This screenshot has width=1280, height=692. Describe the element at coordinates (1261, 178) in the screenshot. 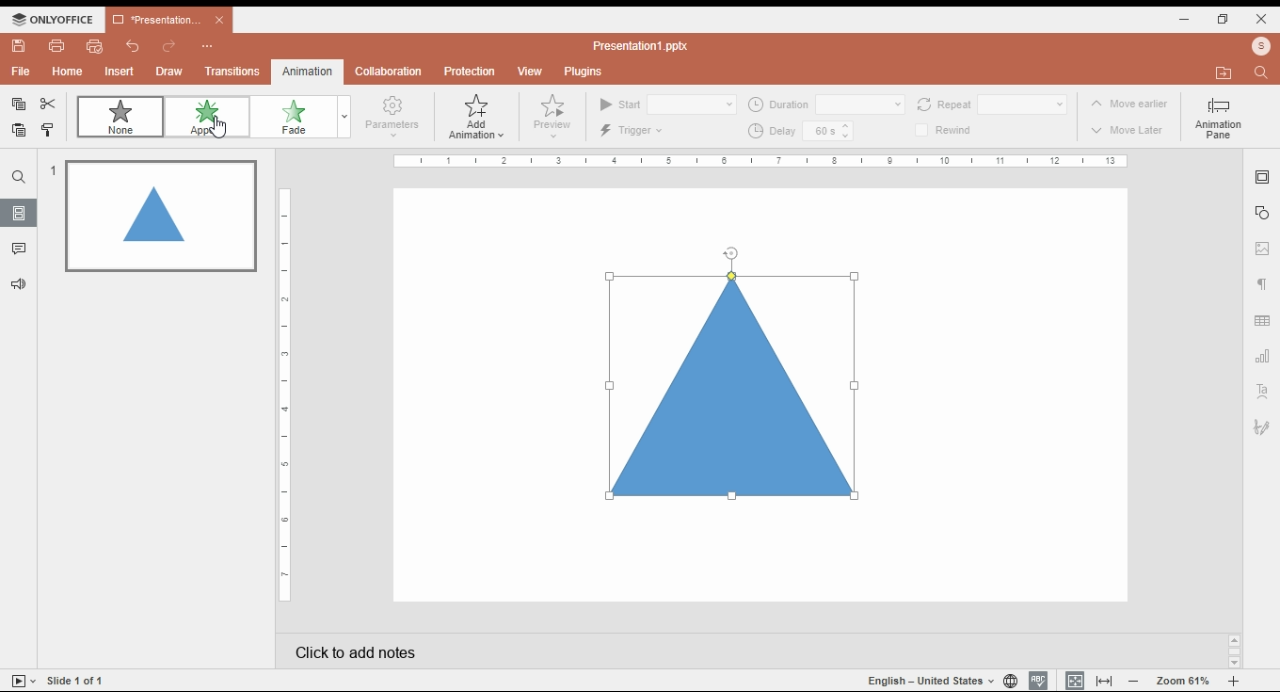

I see `slide setting` at that location.